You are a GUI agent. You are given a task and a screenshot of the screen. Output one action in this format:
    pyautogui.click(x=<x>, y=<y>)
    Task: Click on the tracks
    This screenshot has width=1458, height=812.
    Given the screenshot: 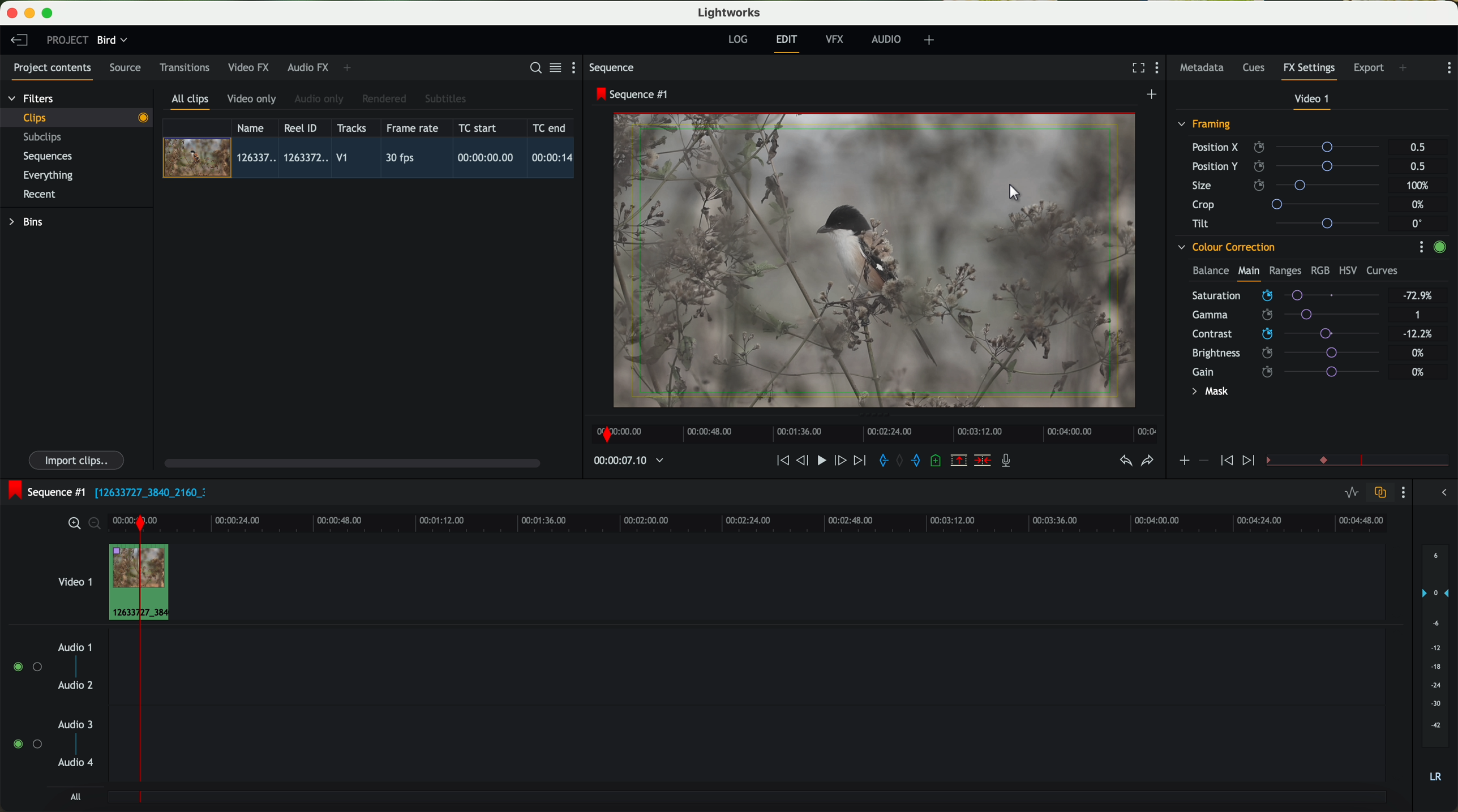 What is the action you would take?
    pyautogui.click(x=350, y=128)
    